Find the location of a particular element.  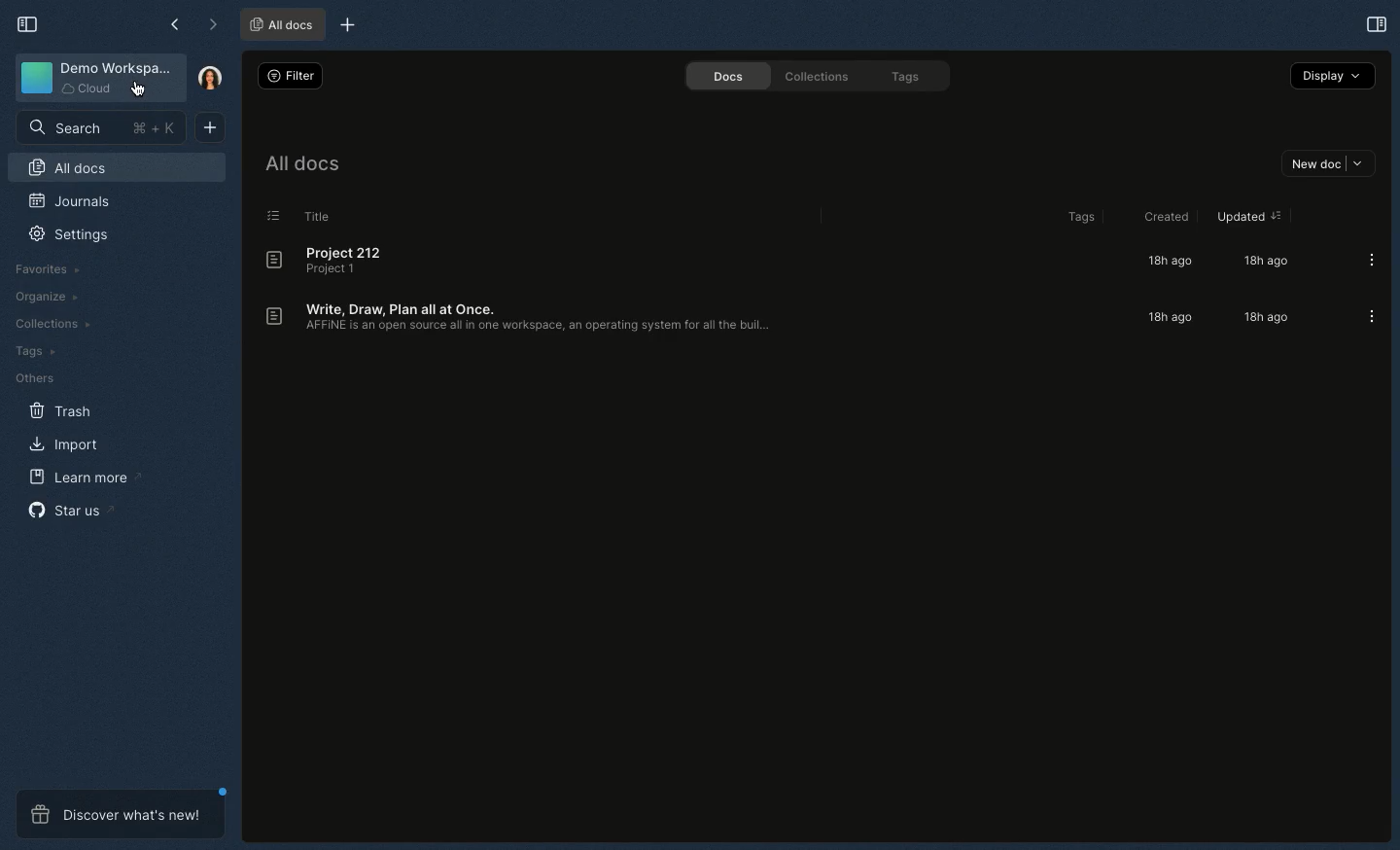

cursor is located at coordinates (139, 89).